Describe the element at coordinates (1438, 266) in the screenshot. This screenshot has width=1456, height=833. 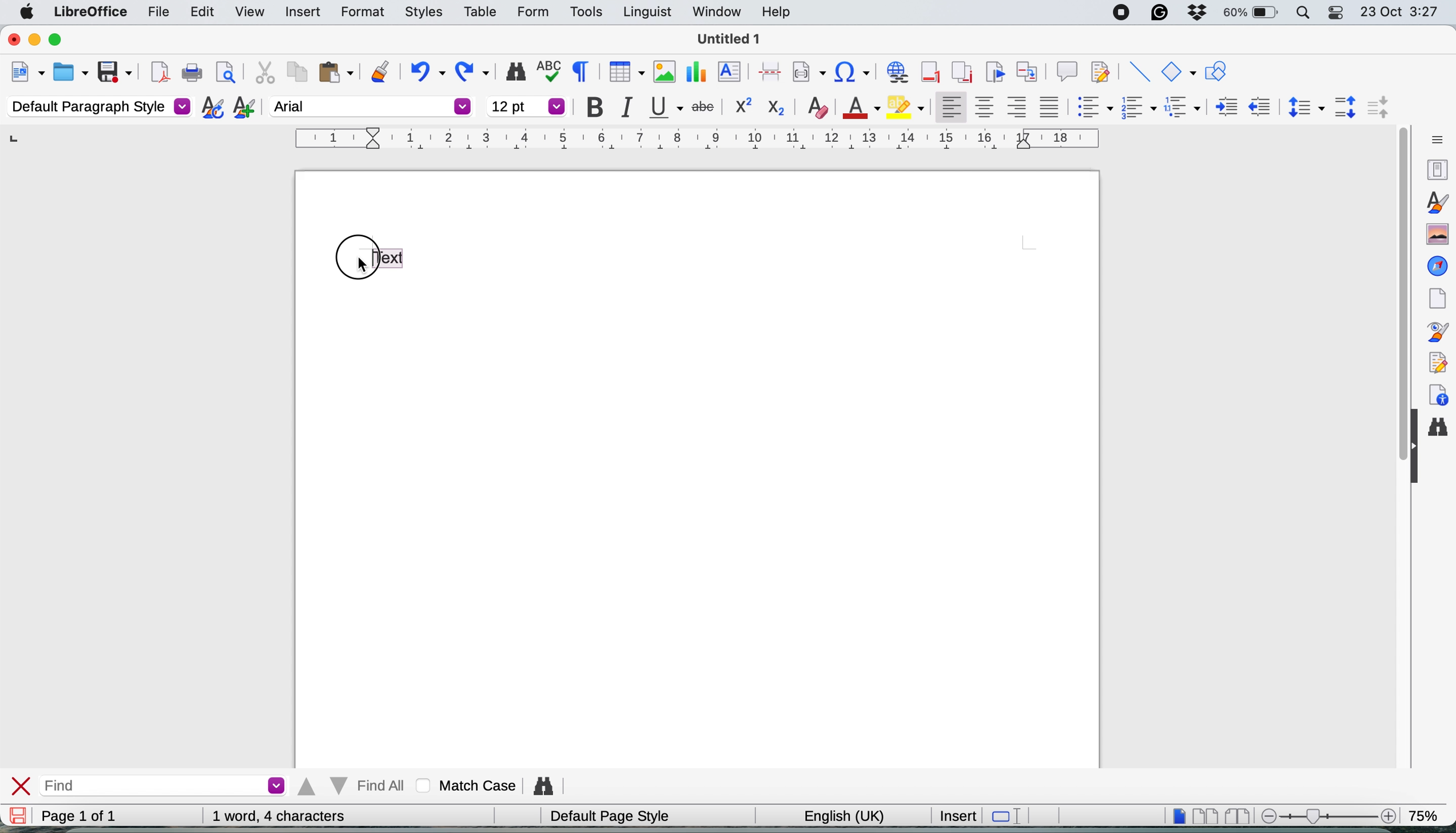
I see `navigator` at that location.